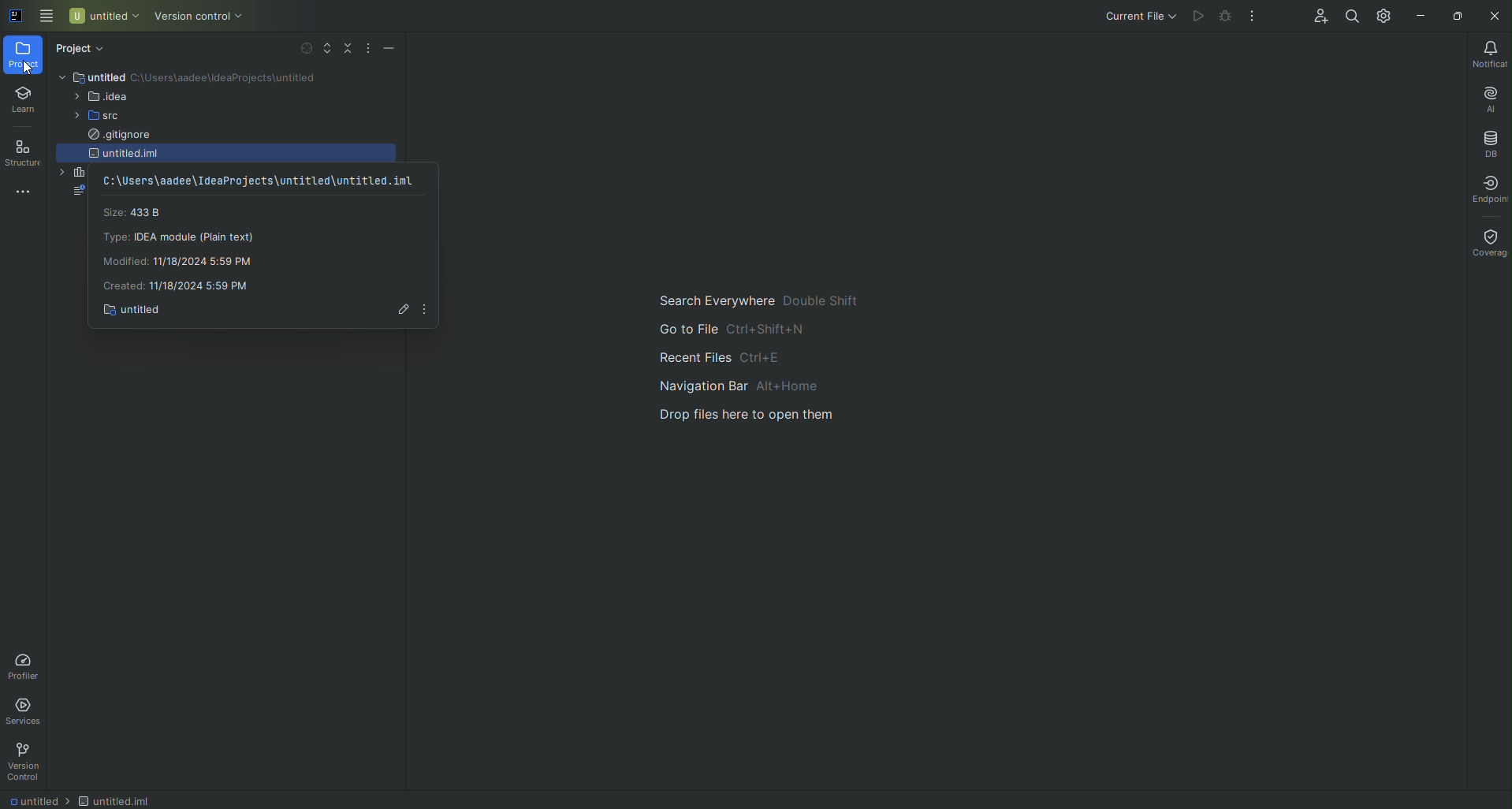 This screenshot has width=1512, height=809. What do you see at coordinates (299, 50) in the screenshot?
I see `Select` at bounding box center [299, 50].